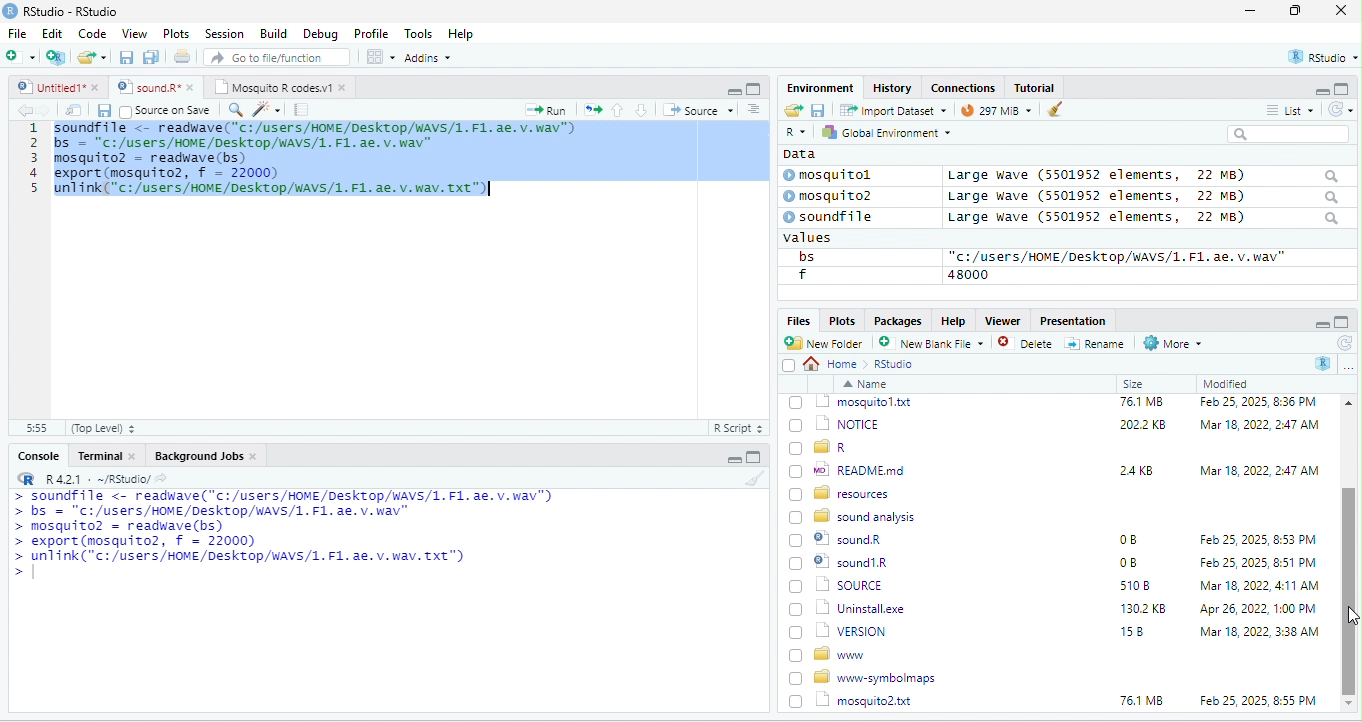 The image size is (1362, 722). What do you see at coordinates (698, 109) in the screenshot?
I see `+ Source +` at bounding box center [698, 109].